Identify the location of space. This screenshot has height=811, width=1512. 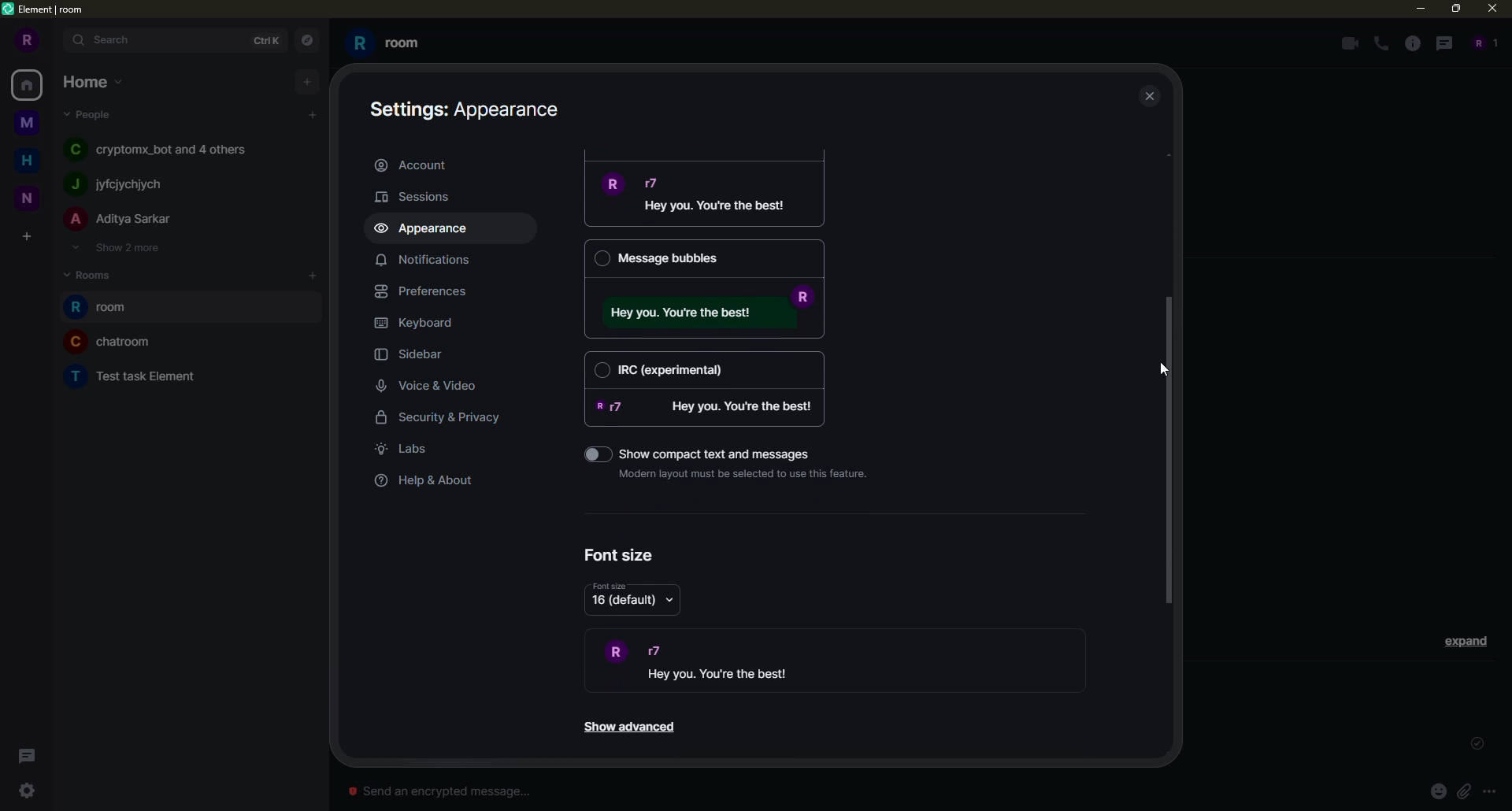
(28, 124).